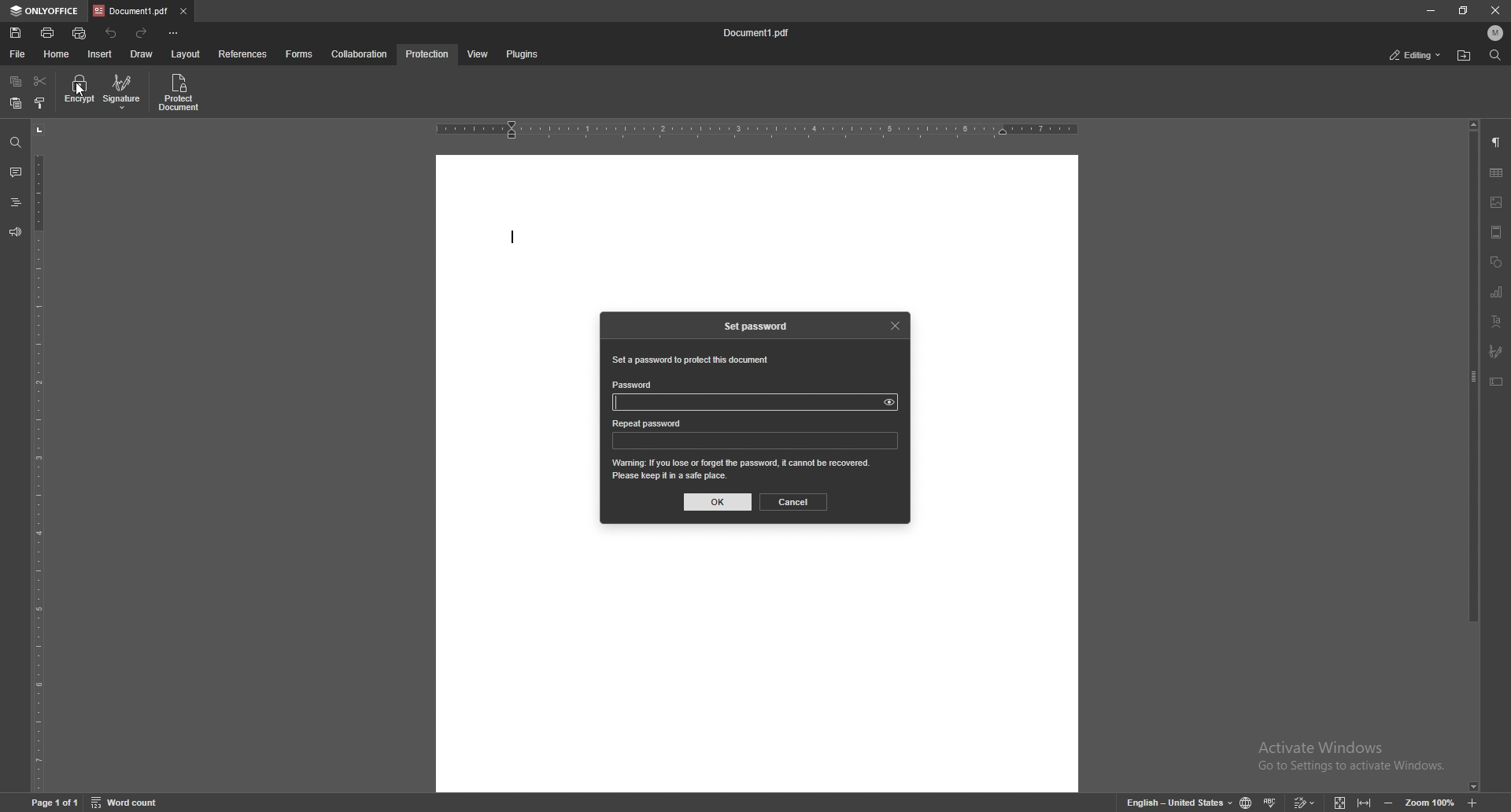  I want to click on vertical scale, so click(38, 456).